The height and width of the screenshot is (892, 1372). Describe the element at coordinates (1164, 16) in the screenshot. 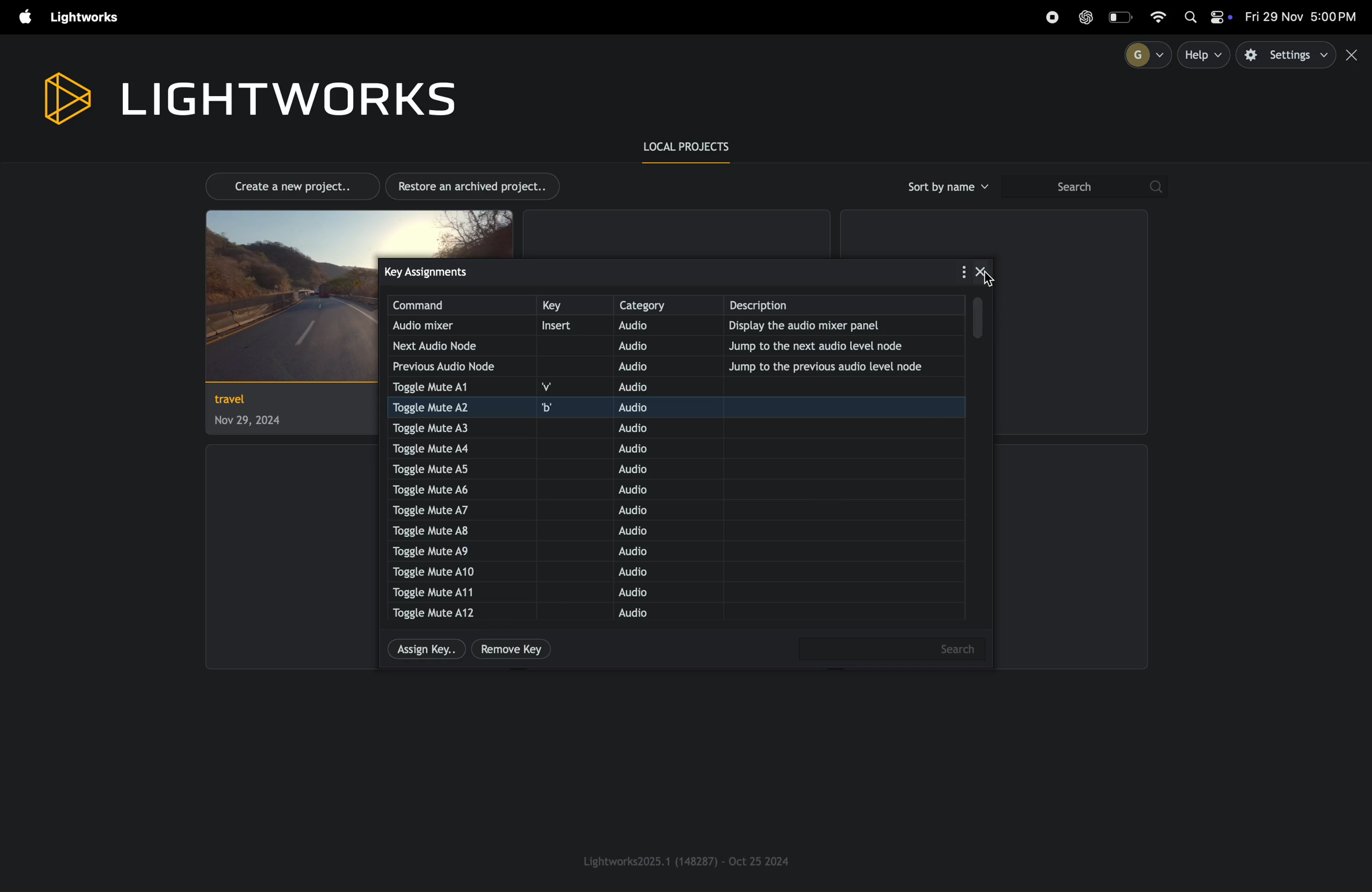

I see `wifi` at that location.